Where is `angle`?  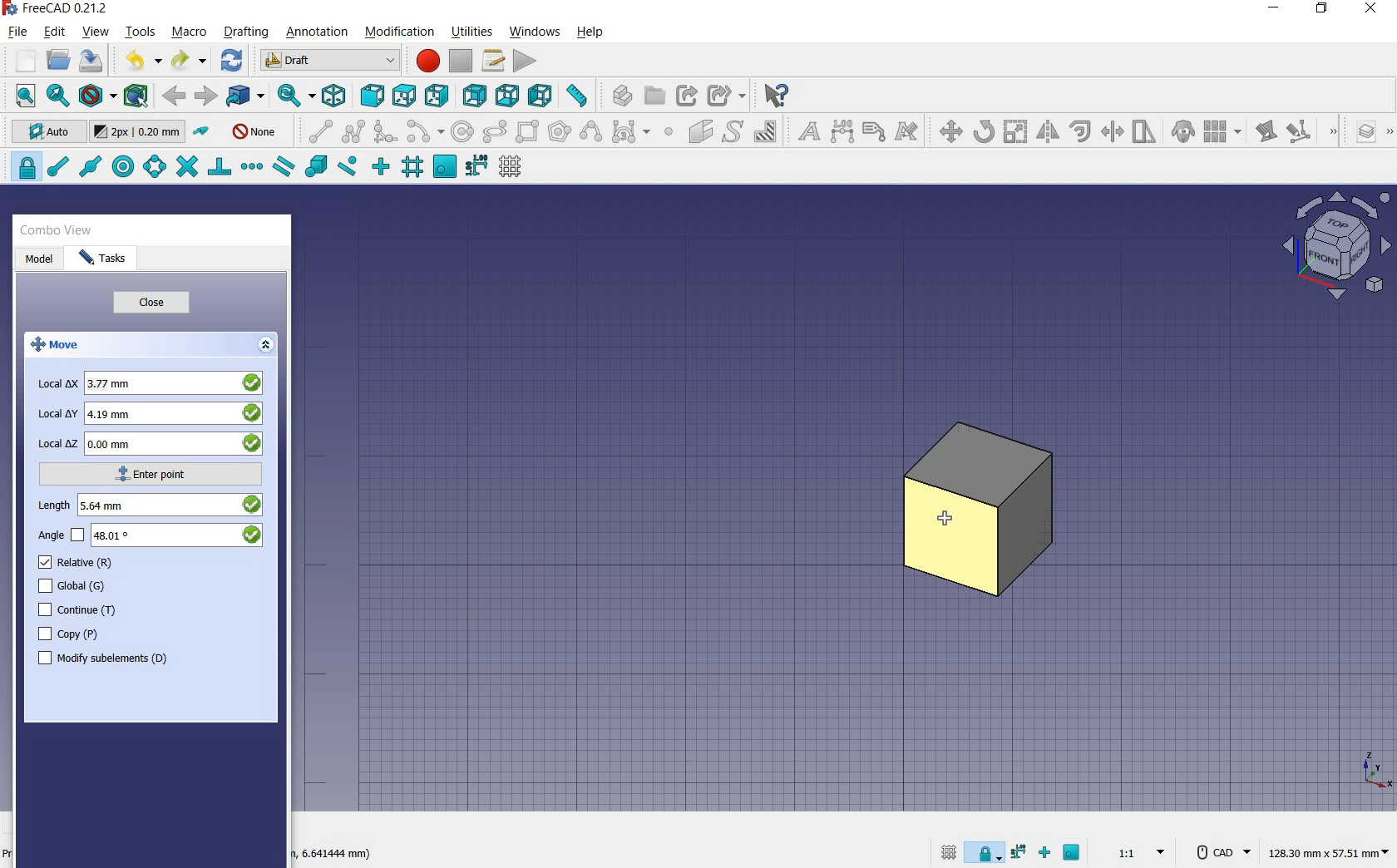 angle is located at coordinates (151, 535).